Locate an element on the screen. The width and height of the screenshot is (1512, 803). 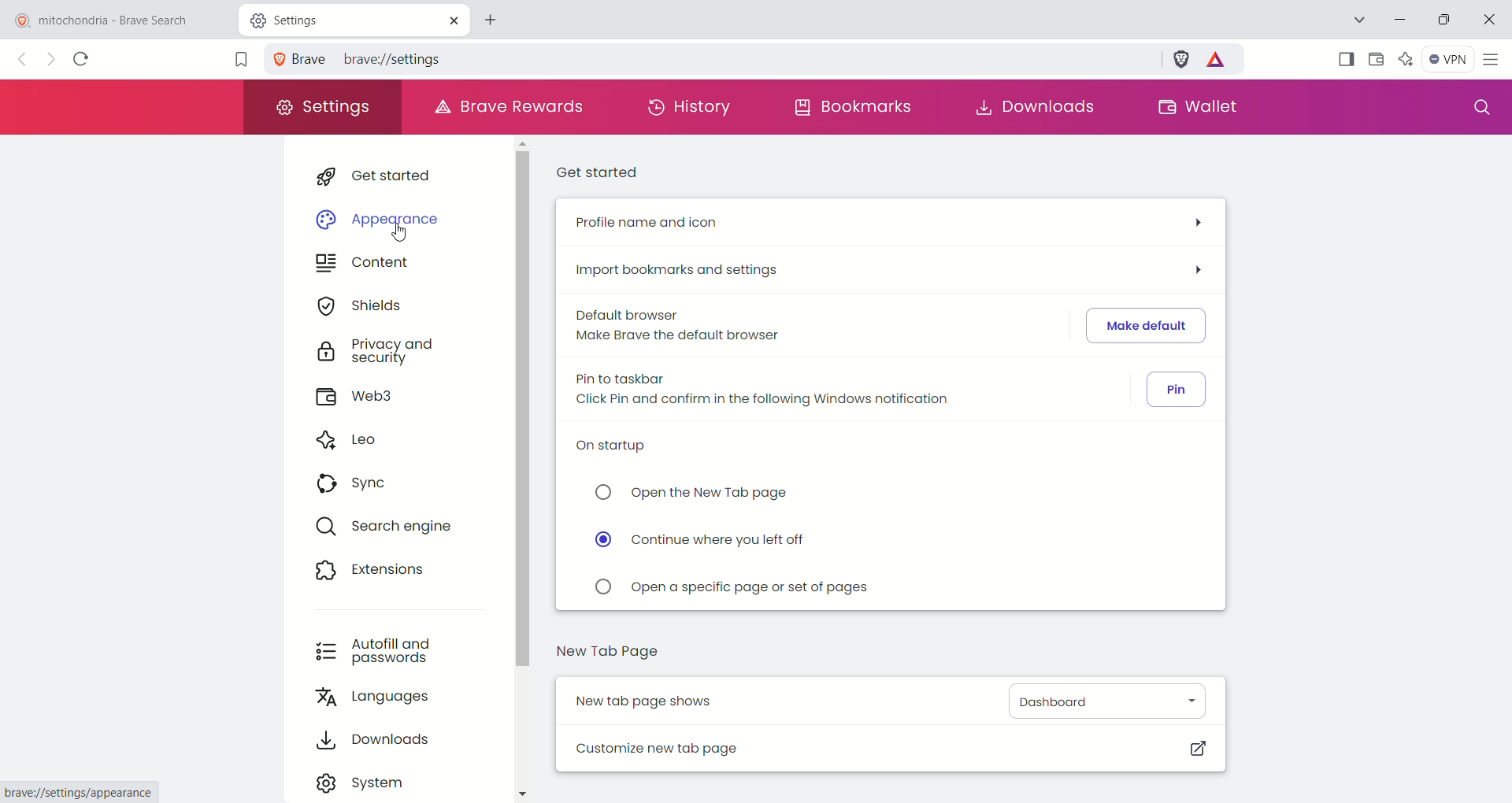
new tab shows is located at coordinates (653, 700).